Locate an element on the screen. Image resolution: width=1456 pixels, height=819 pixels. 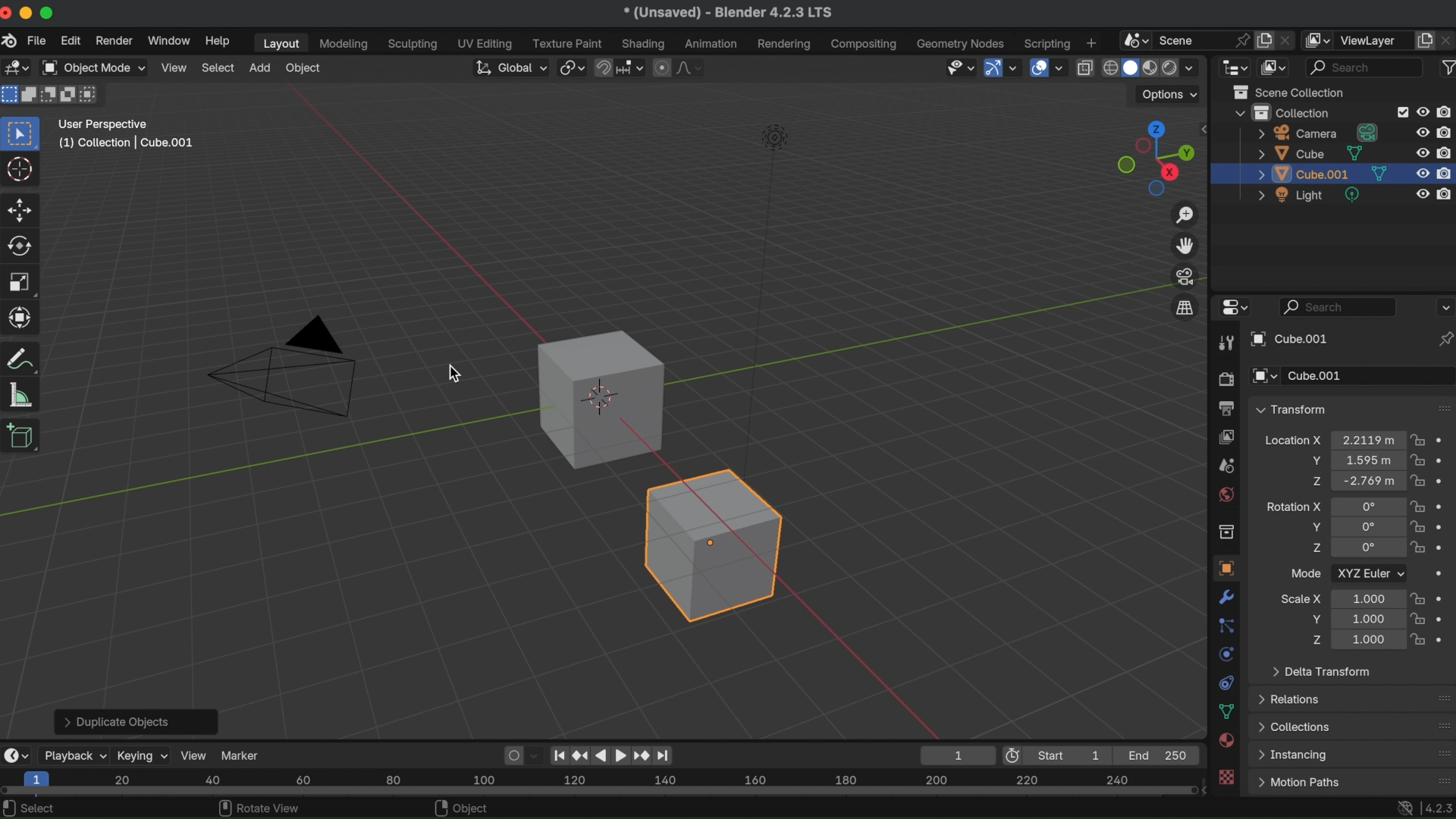
scale Z is located at coordinates (1314, 639).